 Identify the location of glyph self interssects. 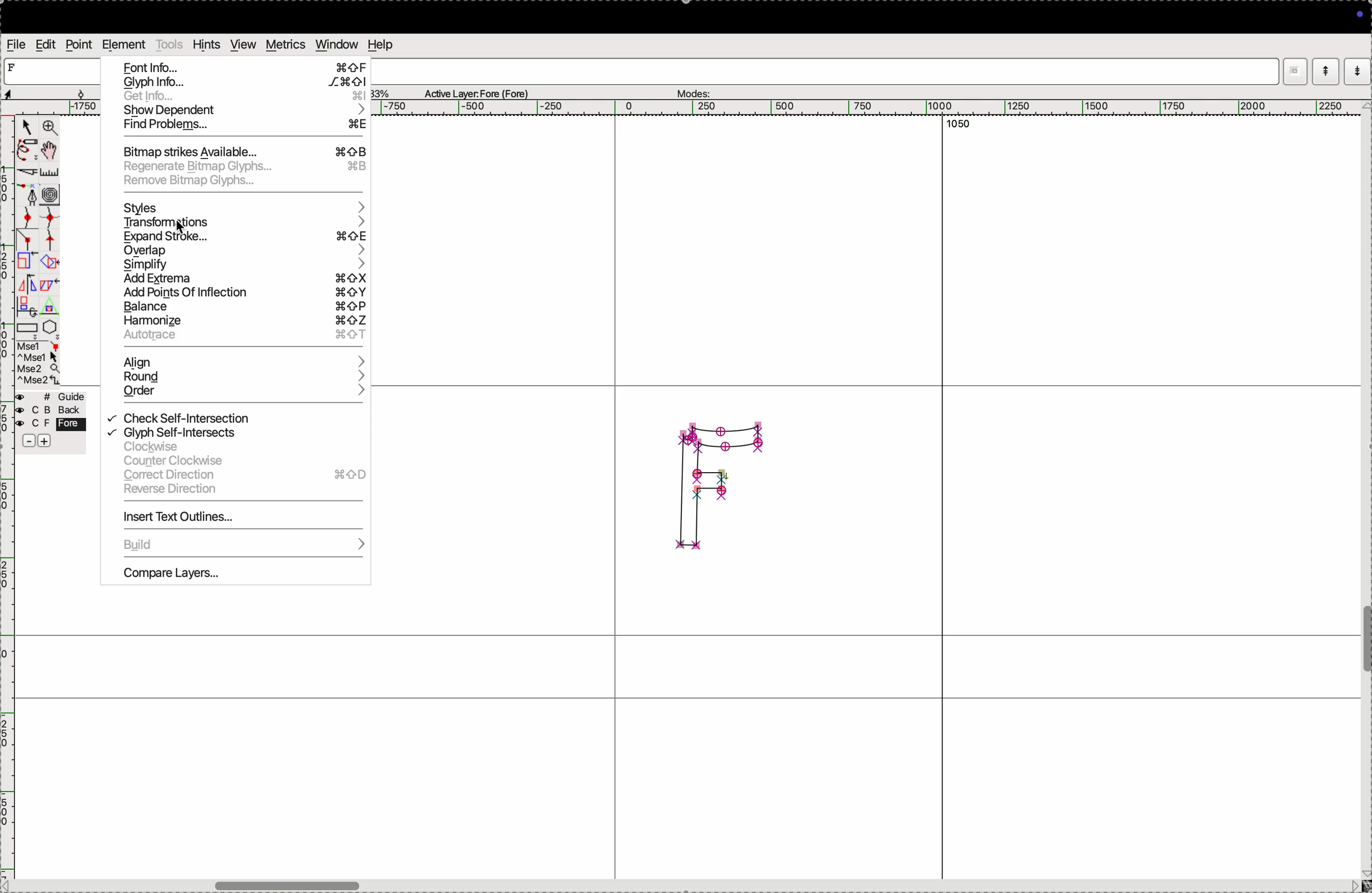
(233, 431).